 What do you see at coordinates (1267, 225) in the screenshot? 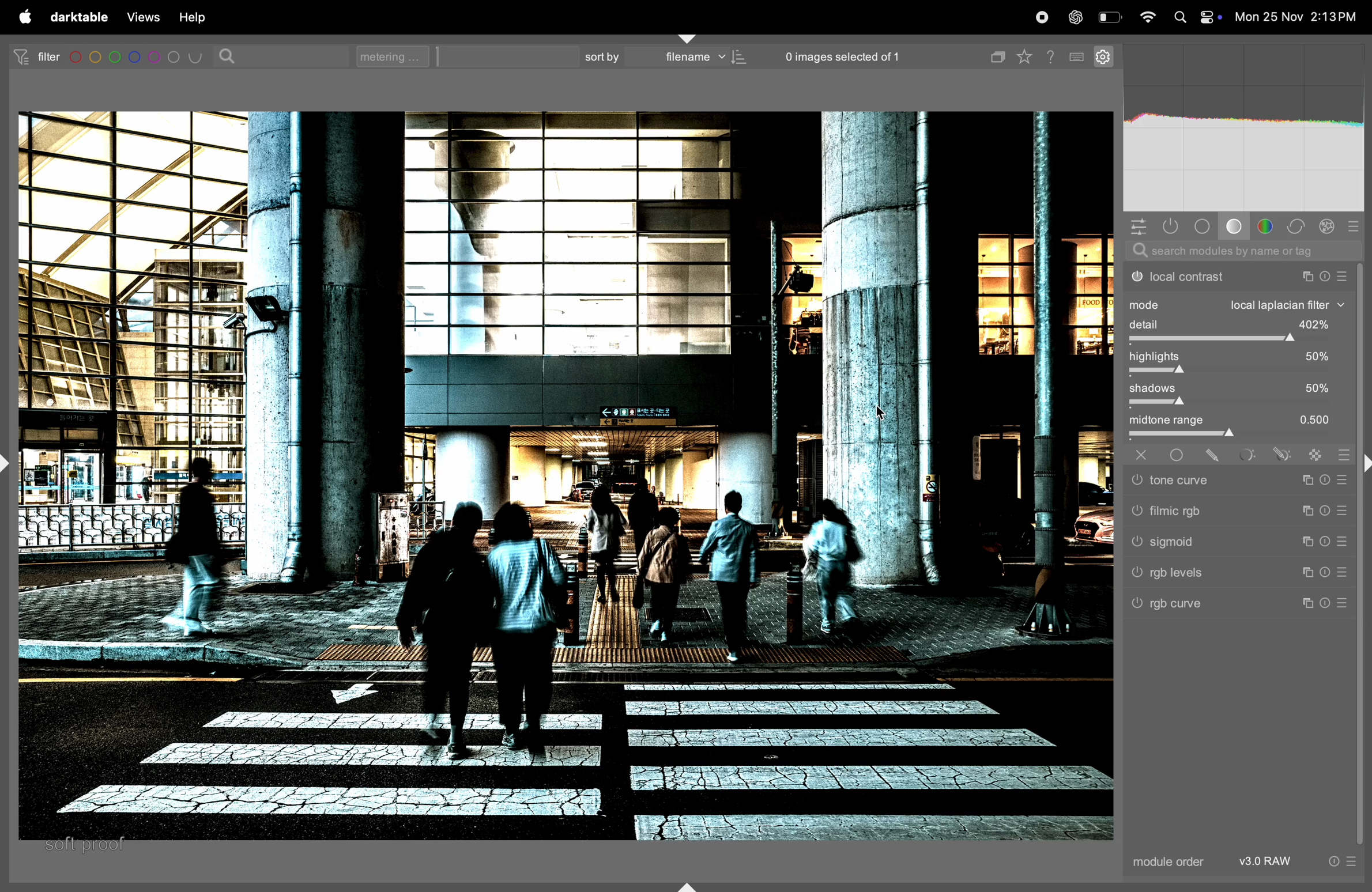
I see `colors` at bounding box center [1267, 225].